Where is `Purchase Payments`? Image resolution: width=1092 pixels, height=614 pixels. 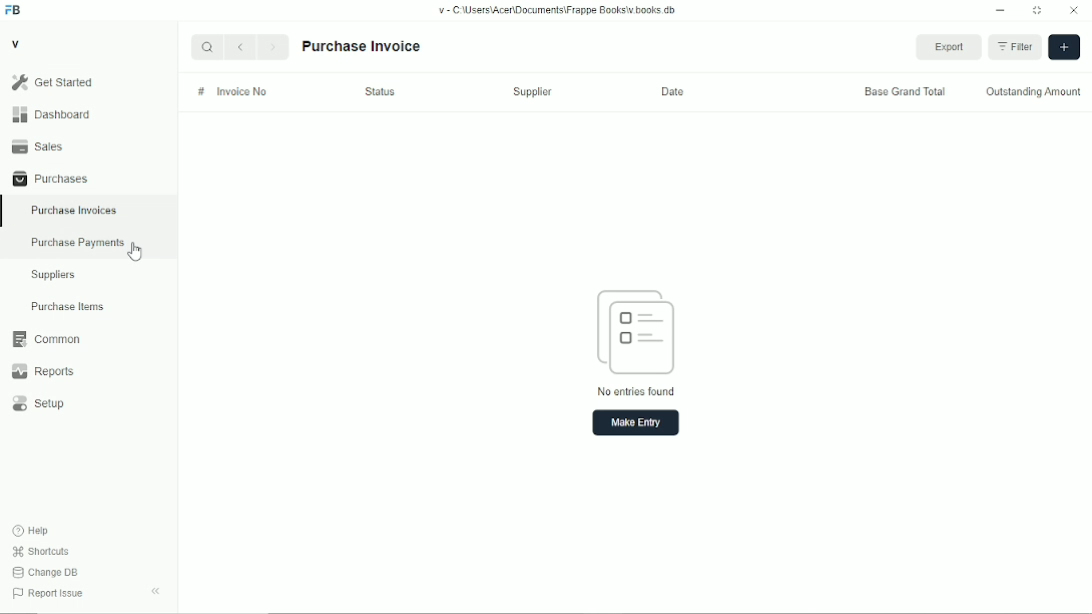 Purchase Payments is located at coordinates (89, 244).